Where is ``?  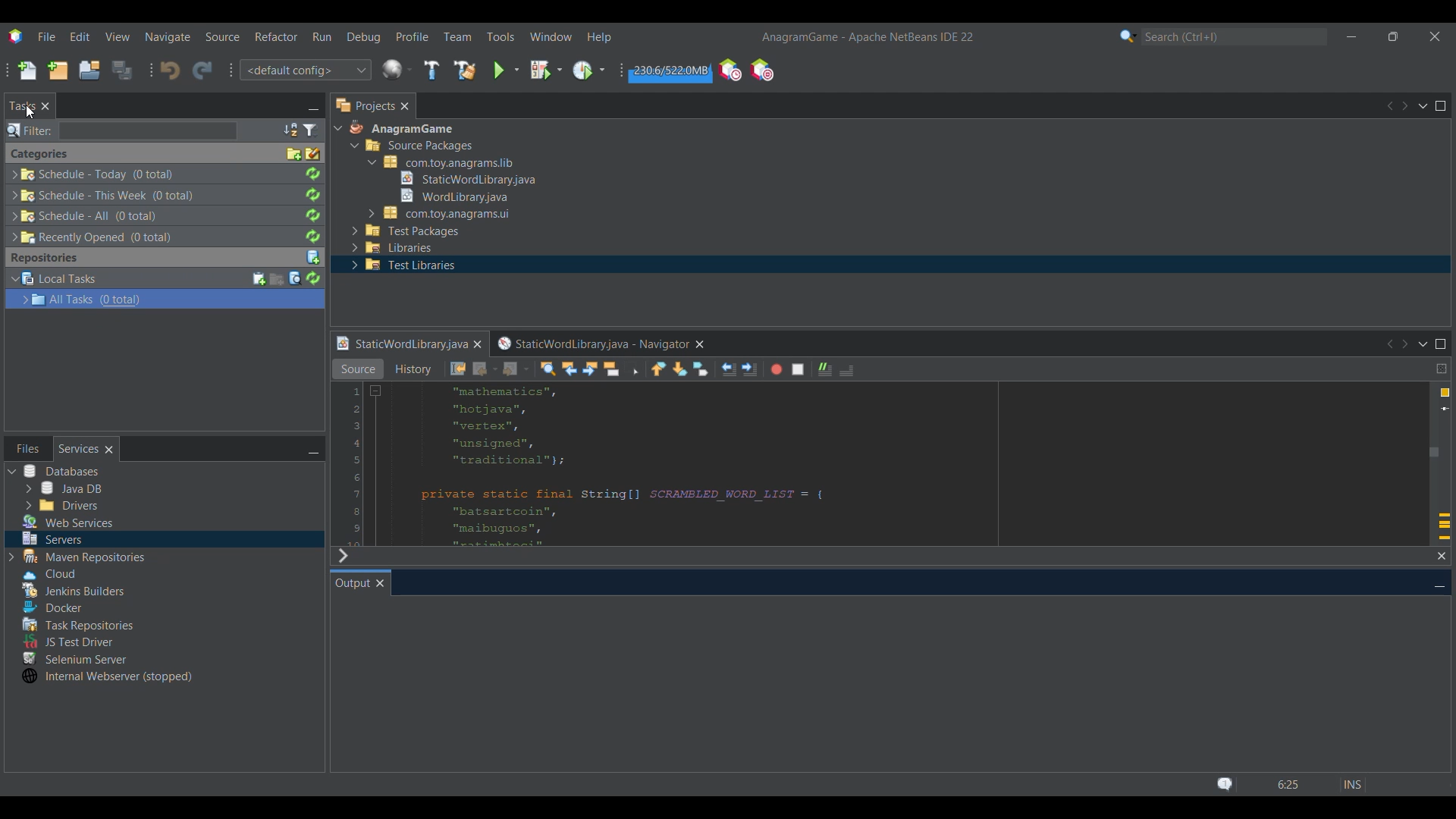
 is located at coordinates (76, 623).